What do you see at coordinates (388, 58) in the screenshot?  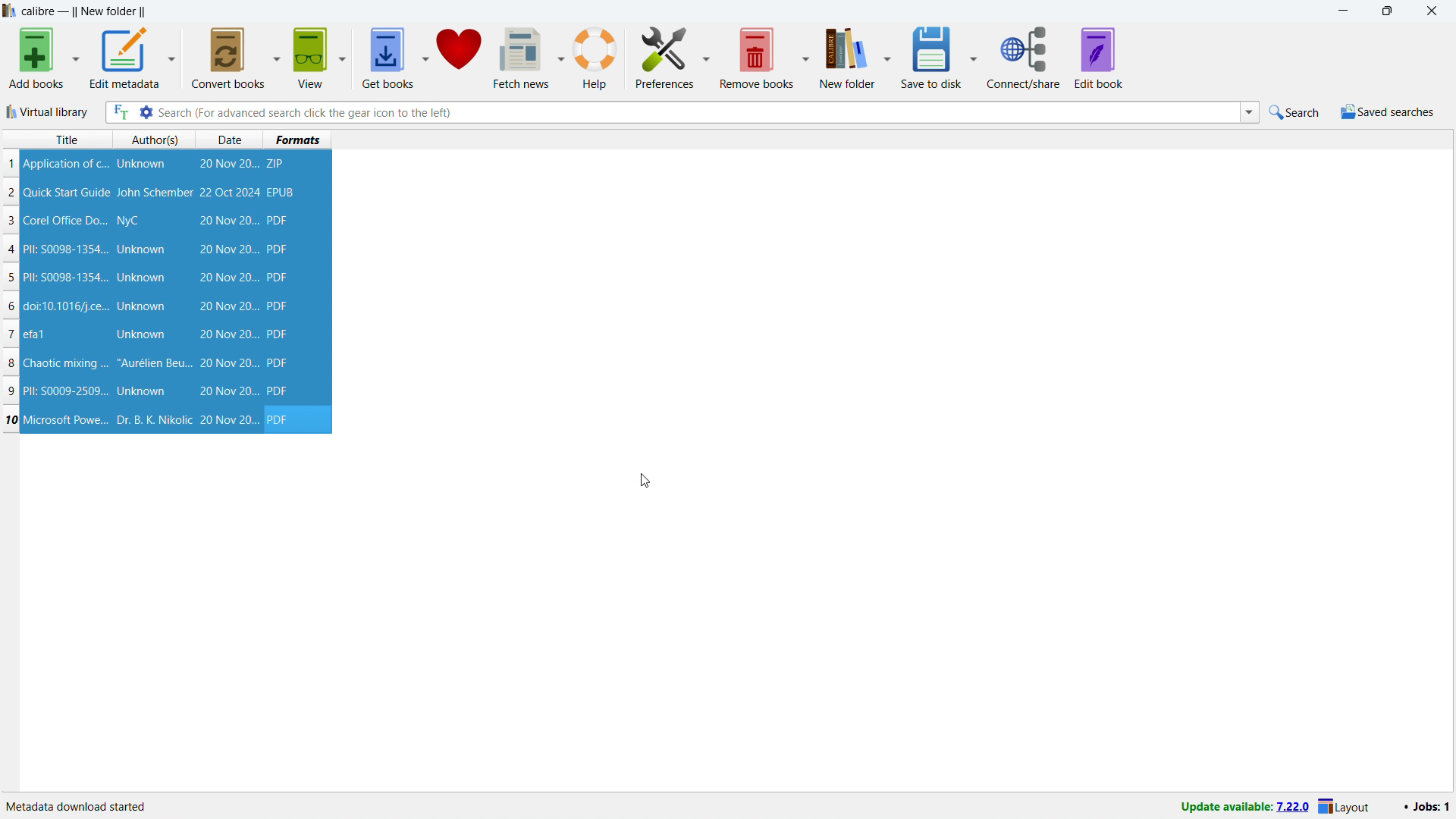 I see `get books` at bounding box center [388, 58].